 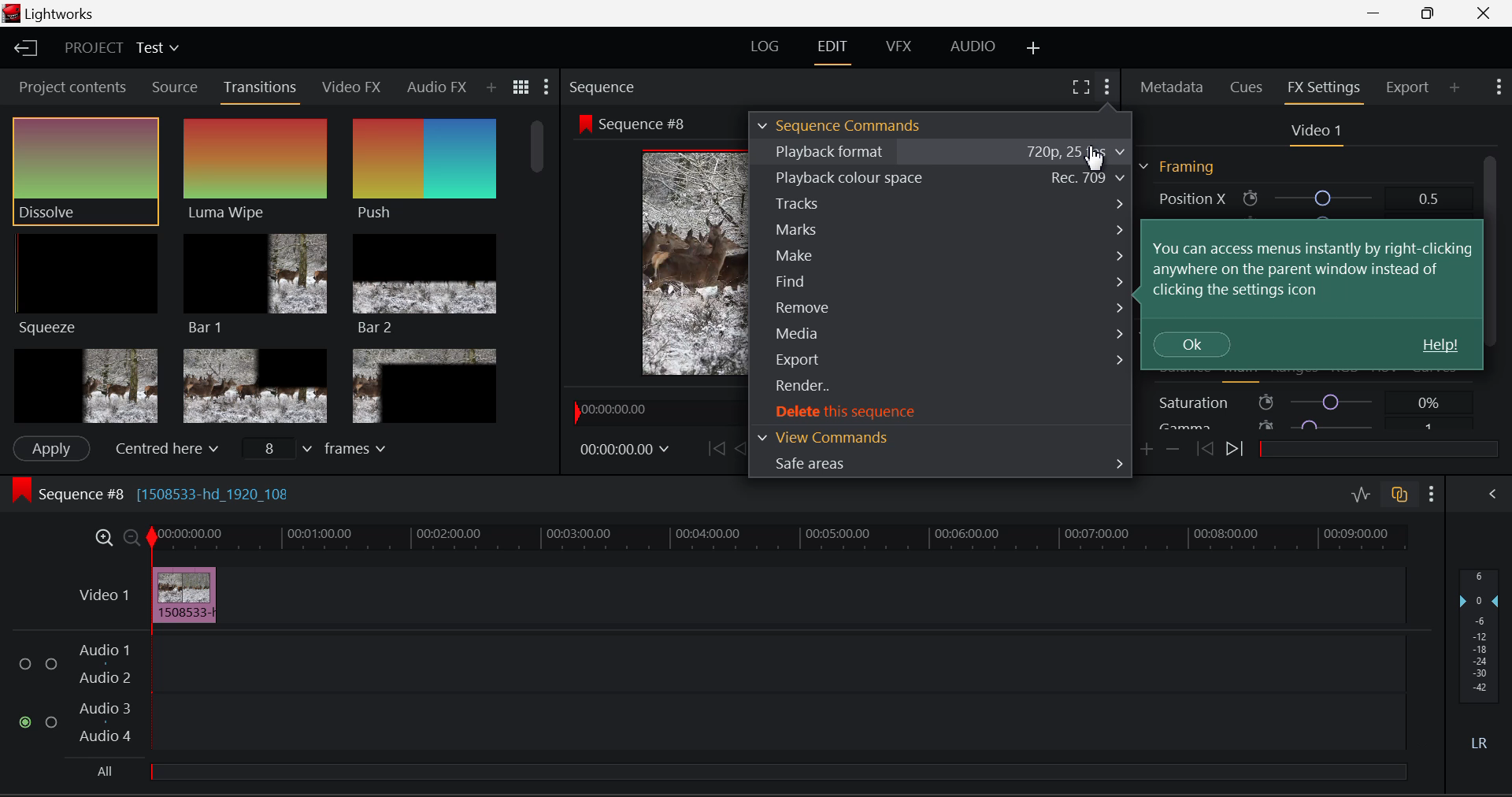 I want to click on Project Title, so click(x=119, y=47).